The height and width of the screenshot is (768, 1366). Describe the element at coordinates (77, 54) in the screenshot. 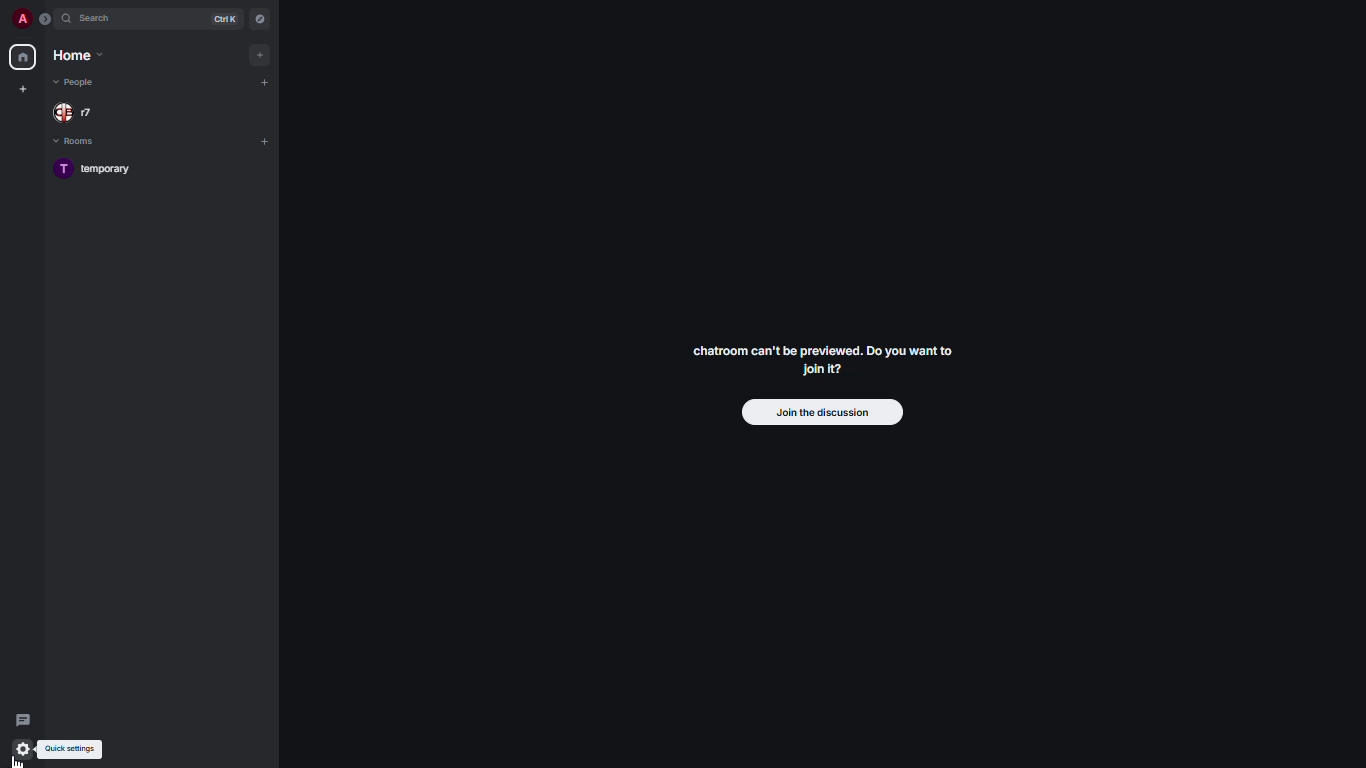

I see `home` at that location.